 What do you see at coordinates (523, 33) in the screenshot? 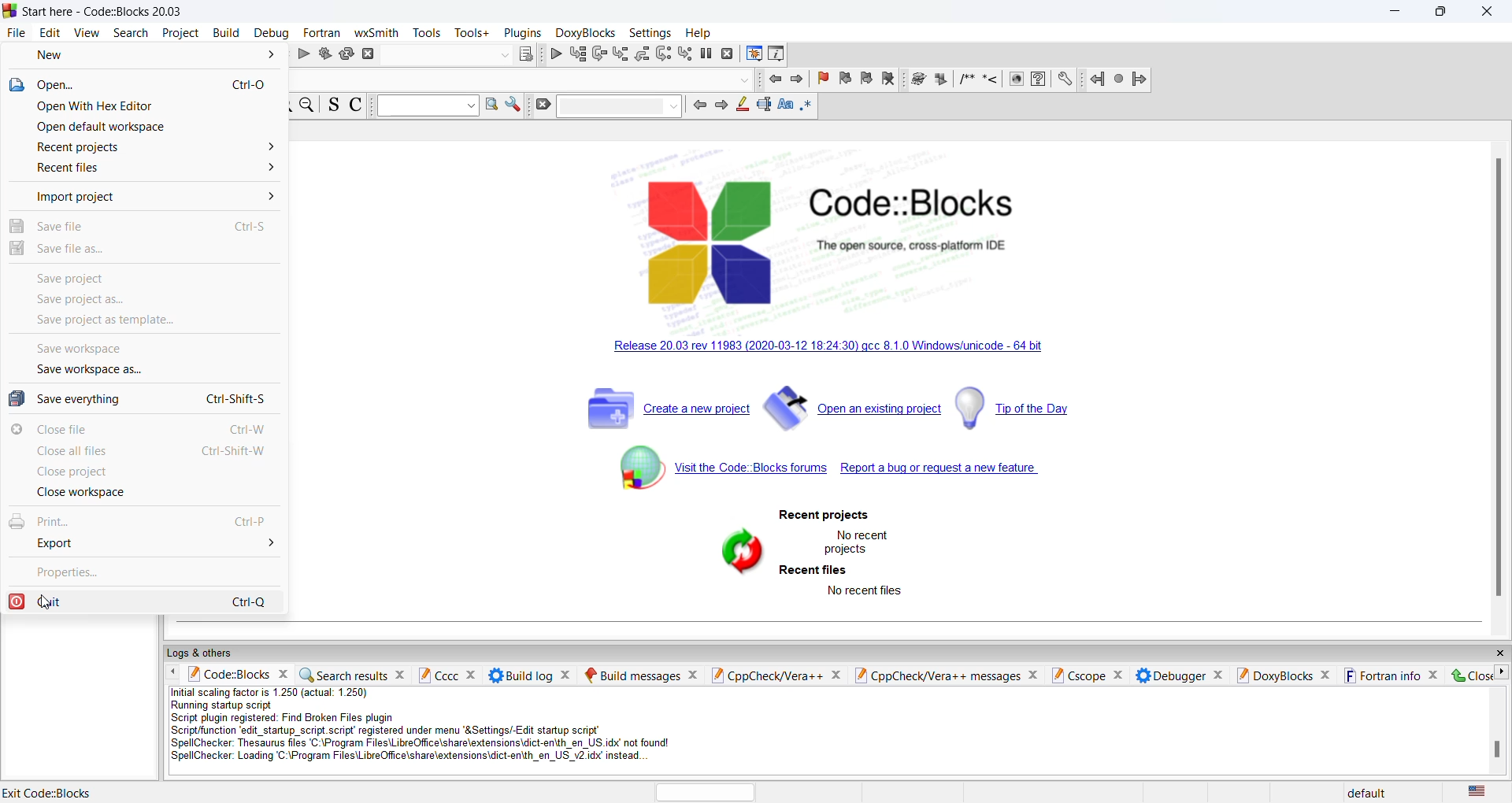
I see `plugins` at bounding box center [523, 33].